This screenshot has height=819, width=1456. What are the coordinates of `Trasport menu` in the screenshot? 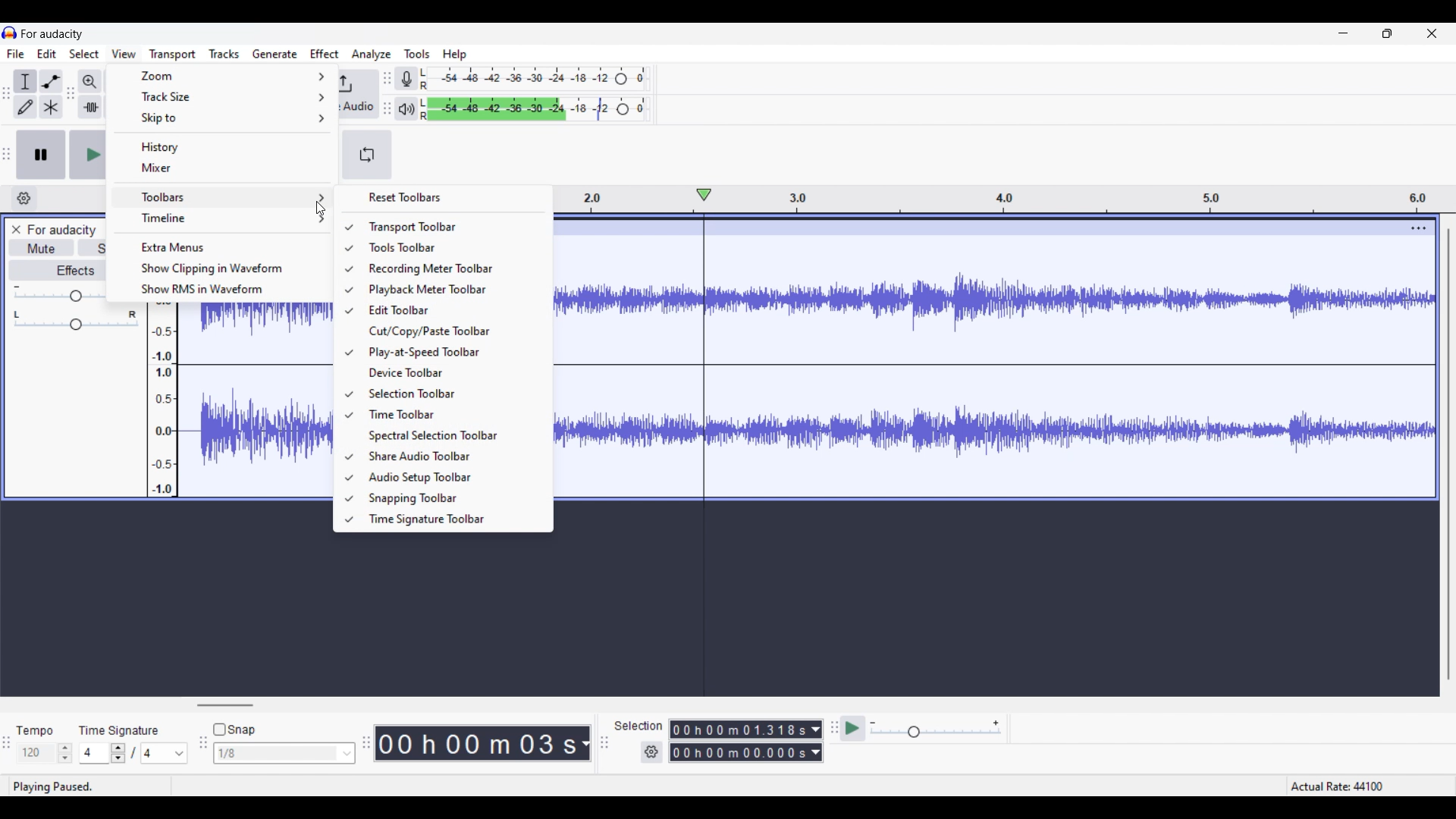 It's located at (173, 55).